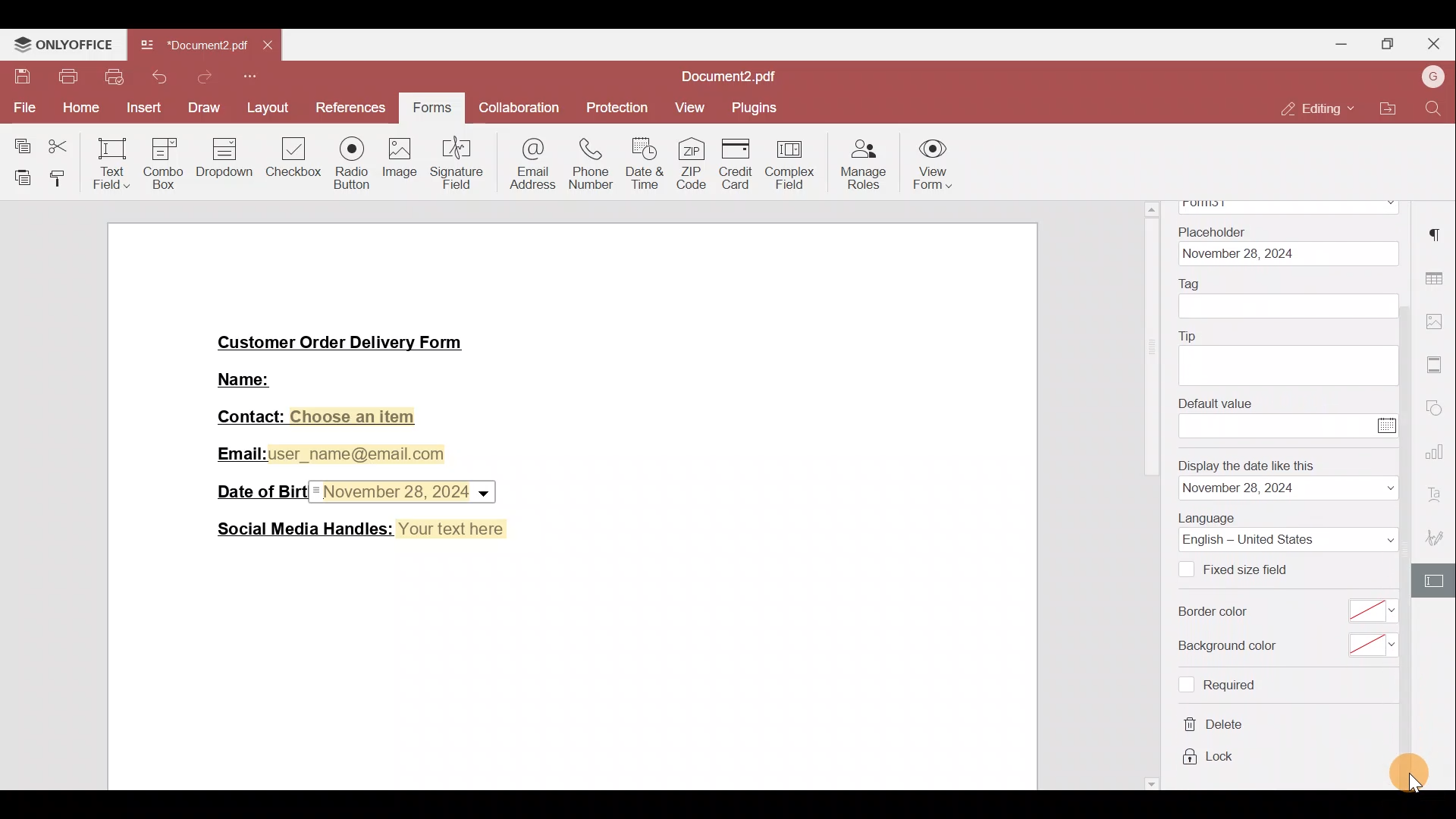 Image resolution: width=1456 pixels, height=819 pixels. Describe the element at coordinates (258, 490) in the screenshot. I see `Date of Birth:` at that location.